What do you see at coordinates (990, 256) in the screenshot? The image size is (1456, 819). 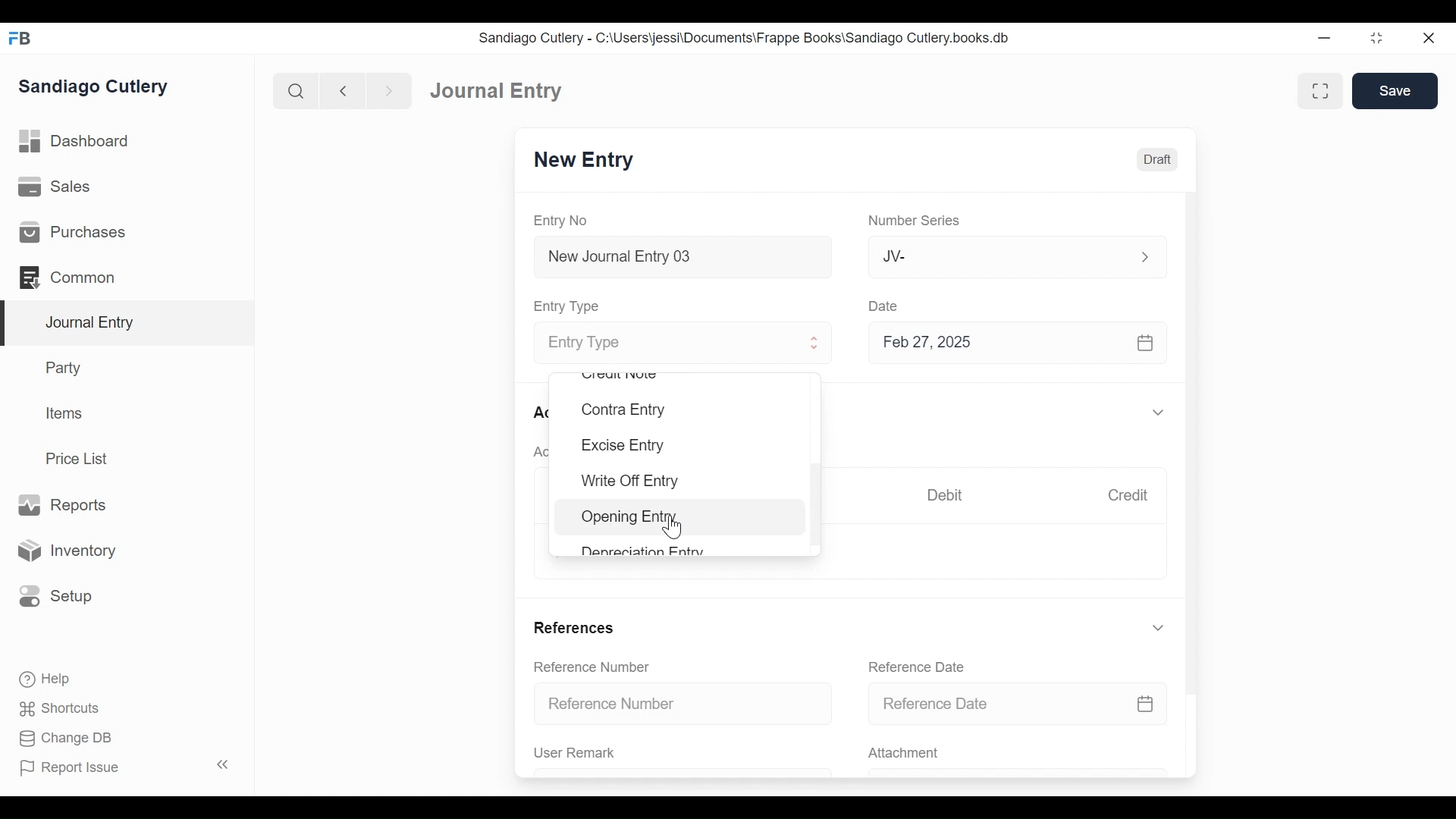 I see `JV-` at bounding box center [990, 256].